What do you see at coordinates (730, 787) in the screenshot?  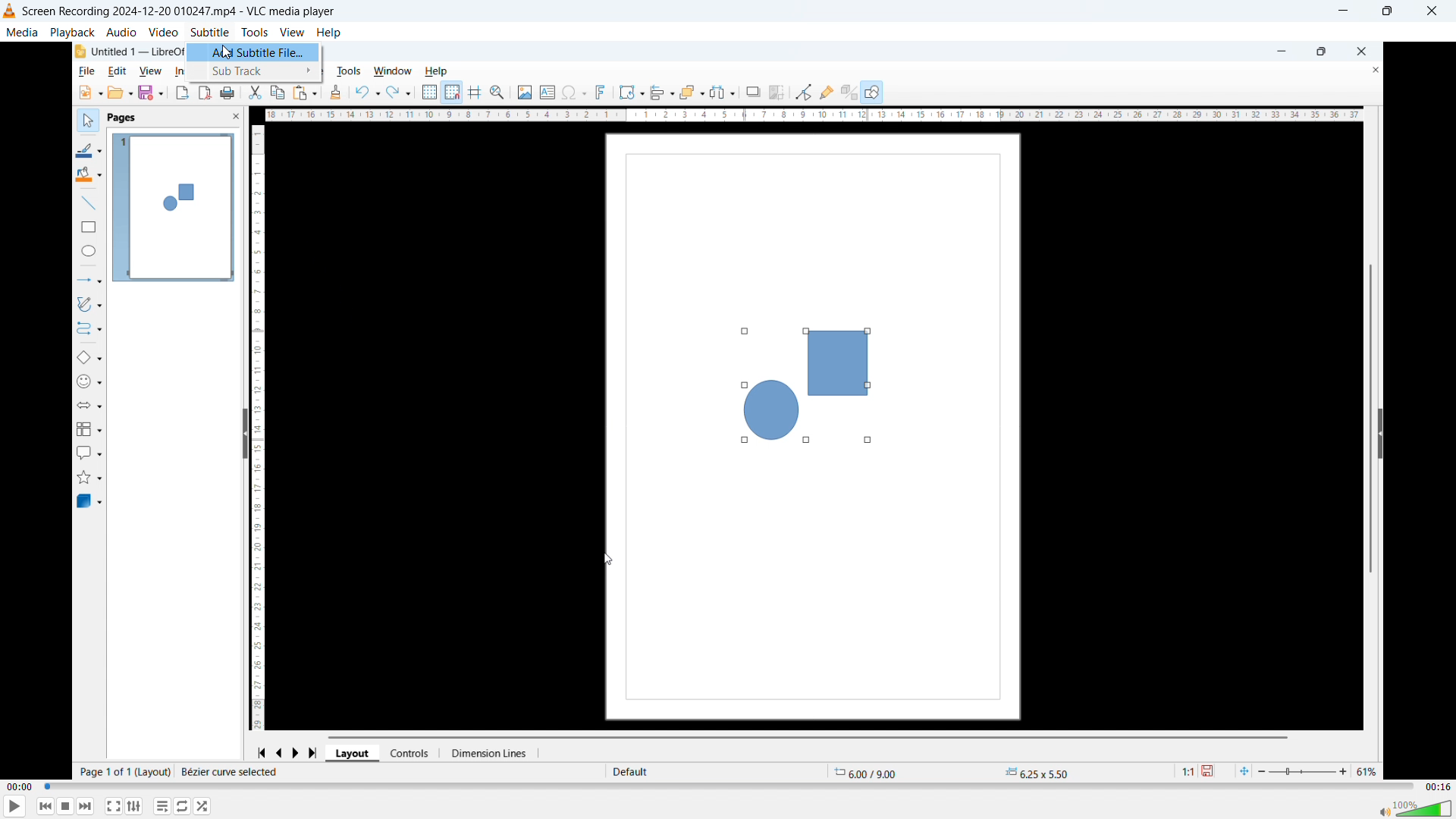 I see `Time bar ` at bounding box center [730, 787].